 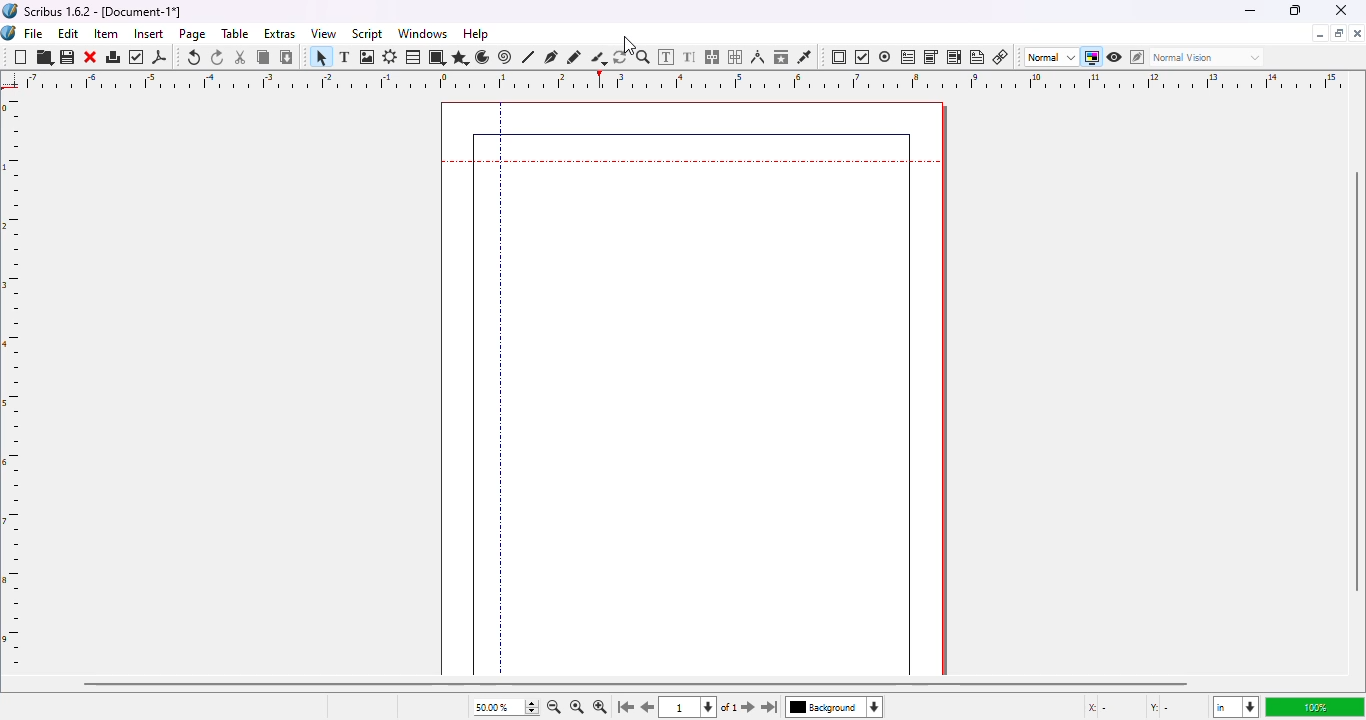 What do you see at coordinates (318, 57) in the screenshot?
I see `select item` at bounding box center [318, 57].